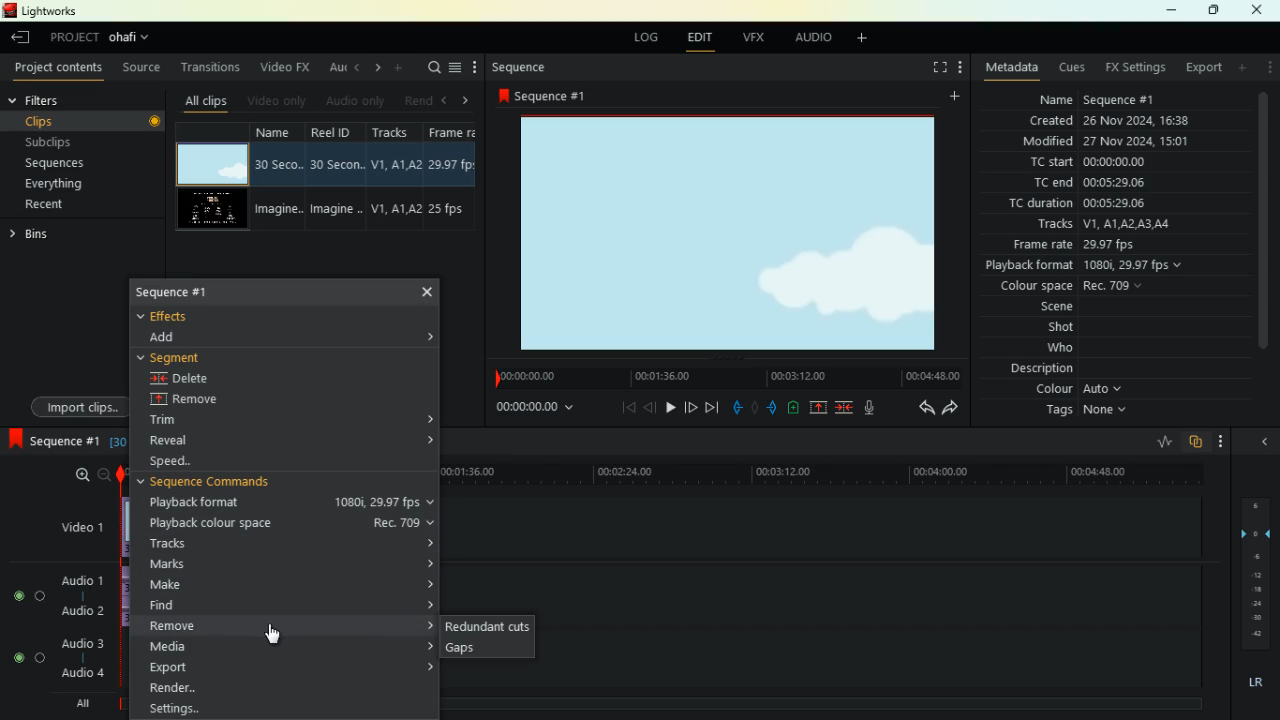 This screenshot has width=1280, height=720. Describe the element at coordinates (489, 646) in the screenshot. I see `gaps` at that location.